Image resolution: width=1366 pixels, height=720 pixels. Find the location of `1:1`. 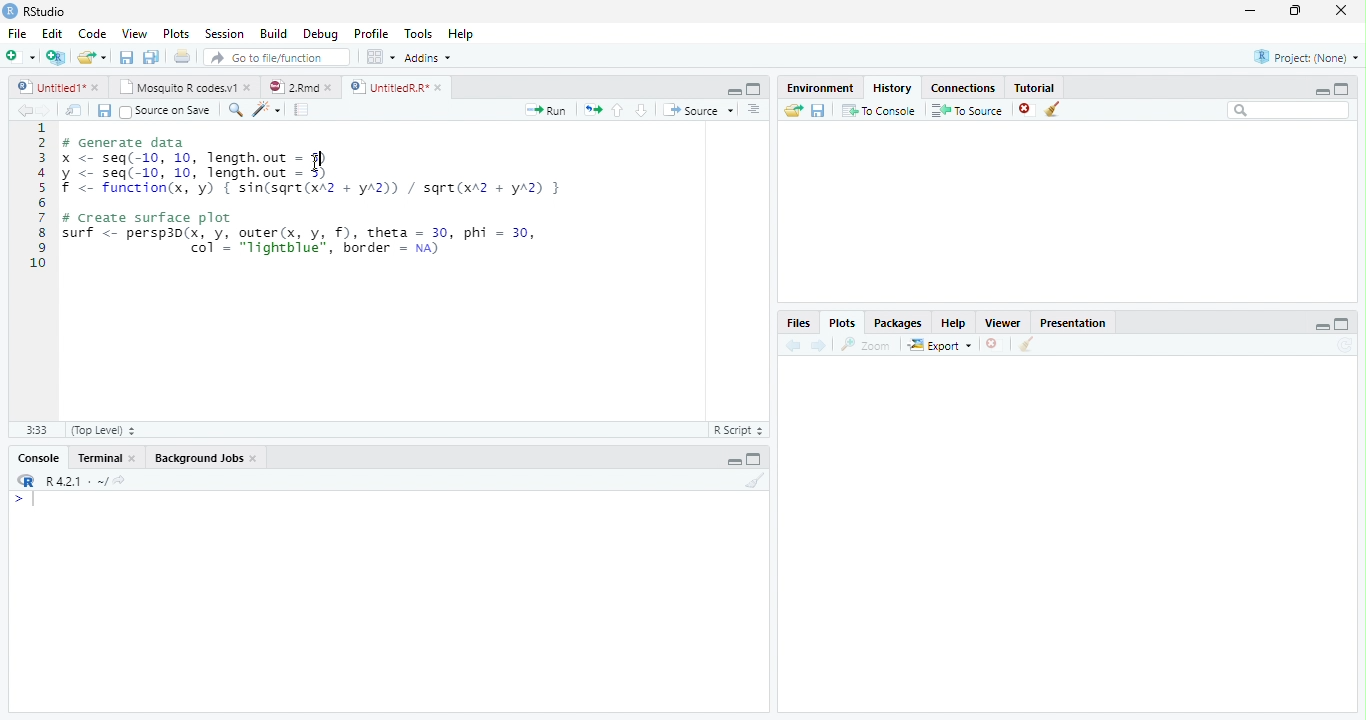

1:1 is located at coordinates (37, 430).